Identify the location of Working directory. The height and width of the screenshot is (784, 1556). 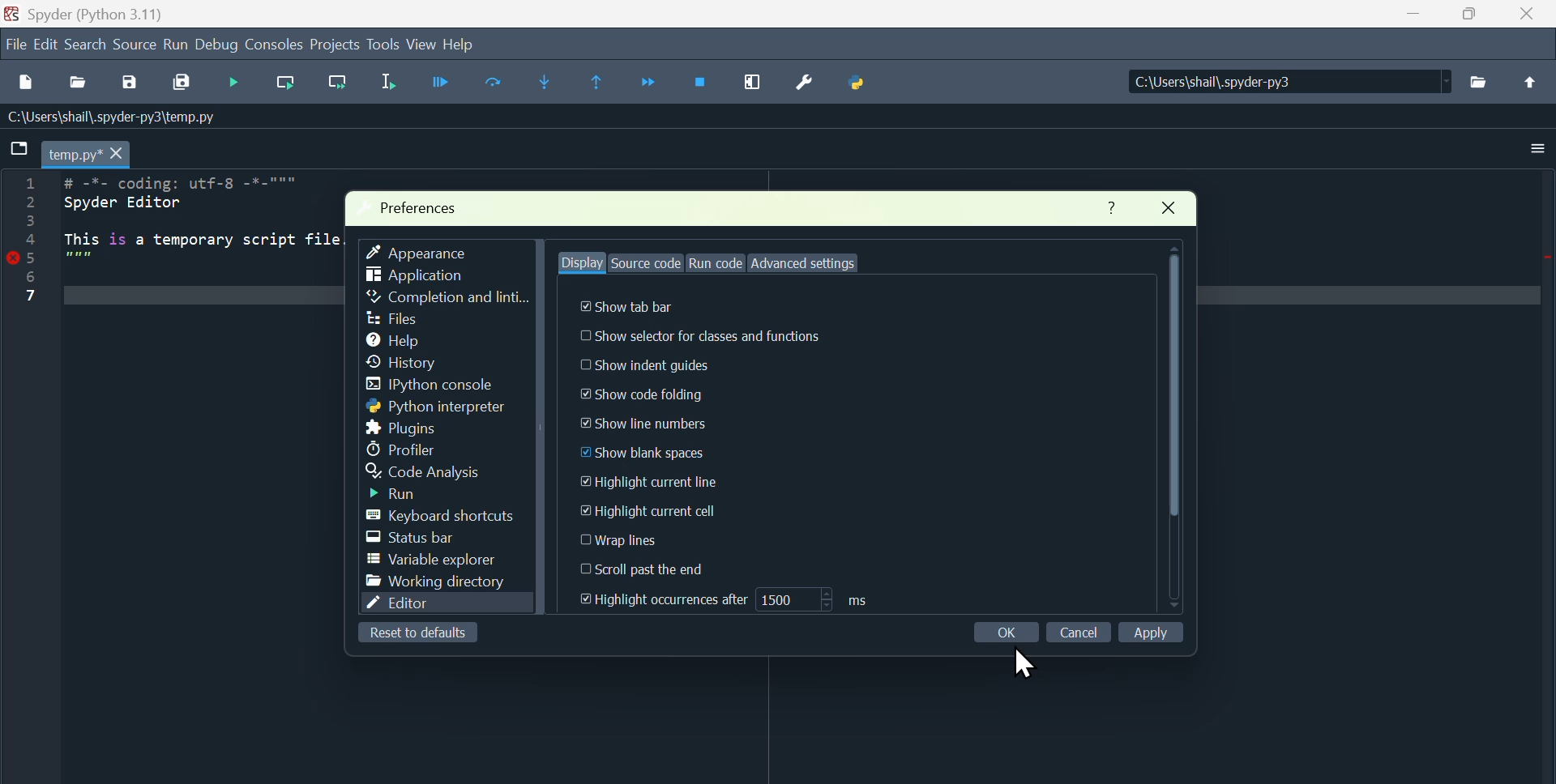
(436, 582).